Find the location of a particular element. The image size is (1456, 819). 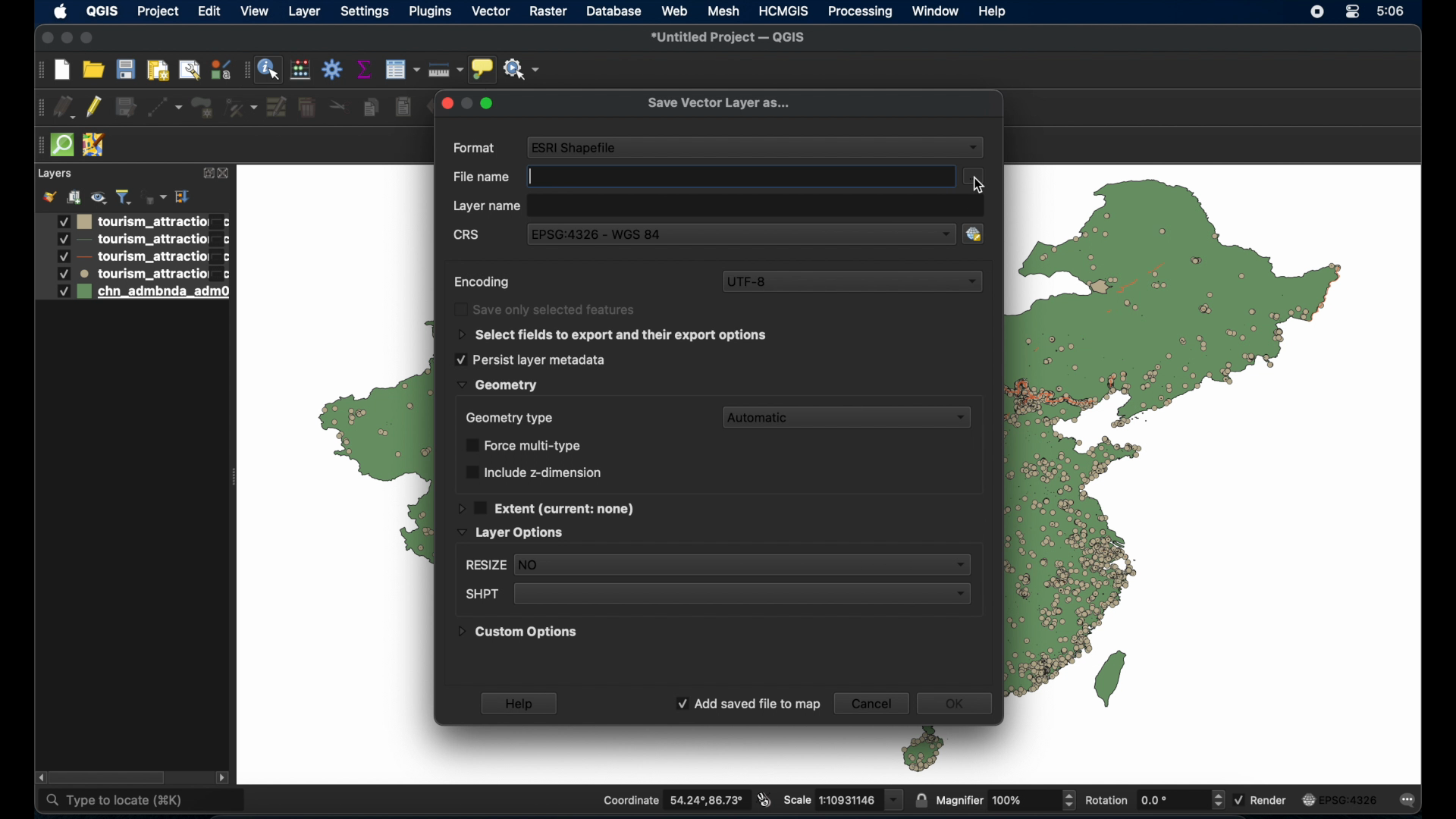

filter legend is located at coordinates (124, 197).